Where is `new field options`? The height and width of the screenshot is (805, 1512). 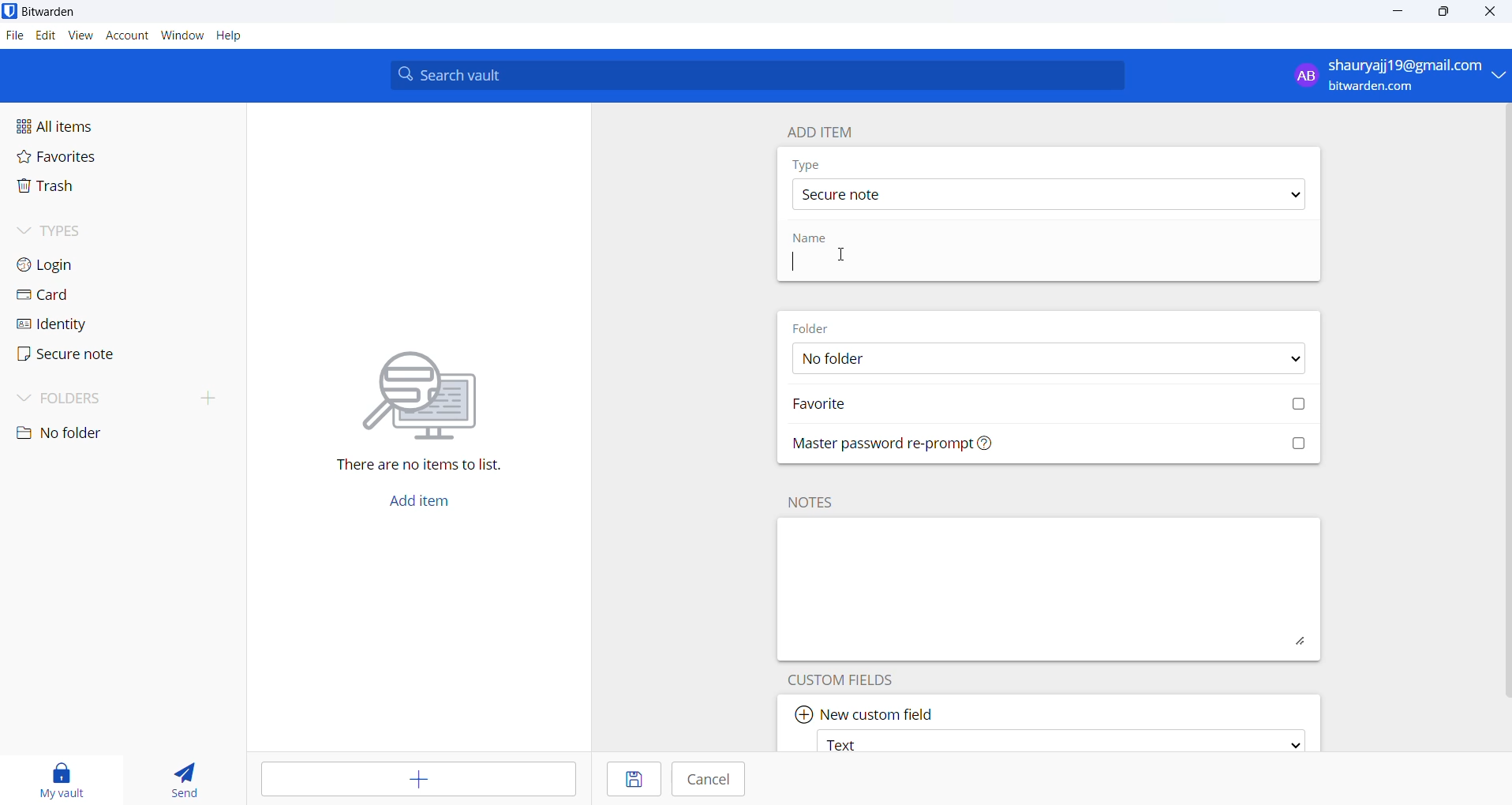
new field options is located at coordinates (1058, 740).